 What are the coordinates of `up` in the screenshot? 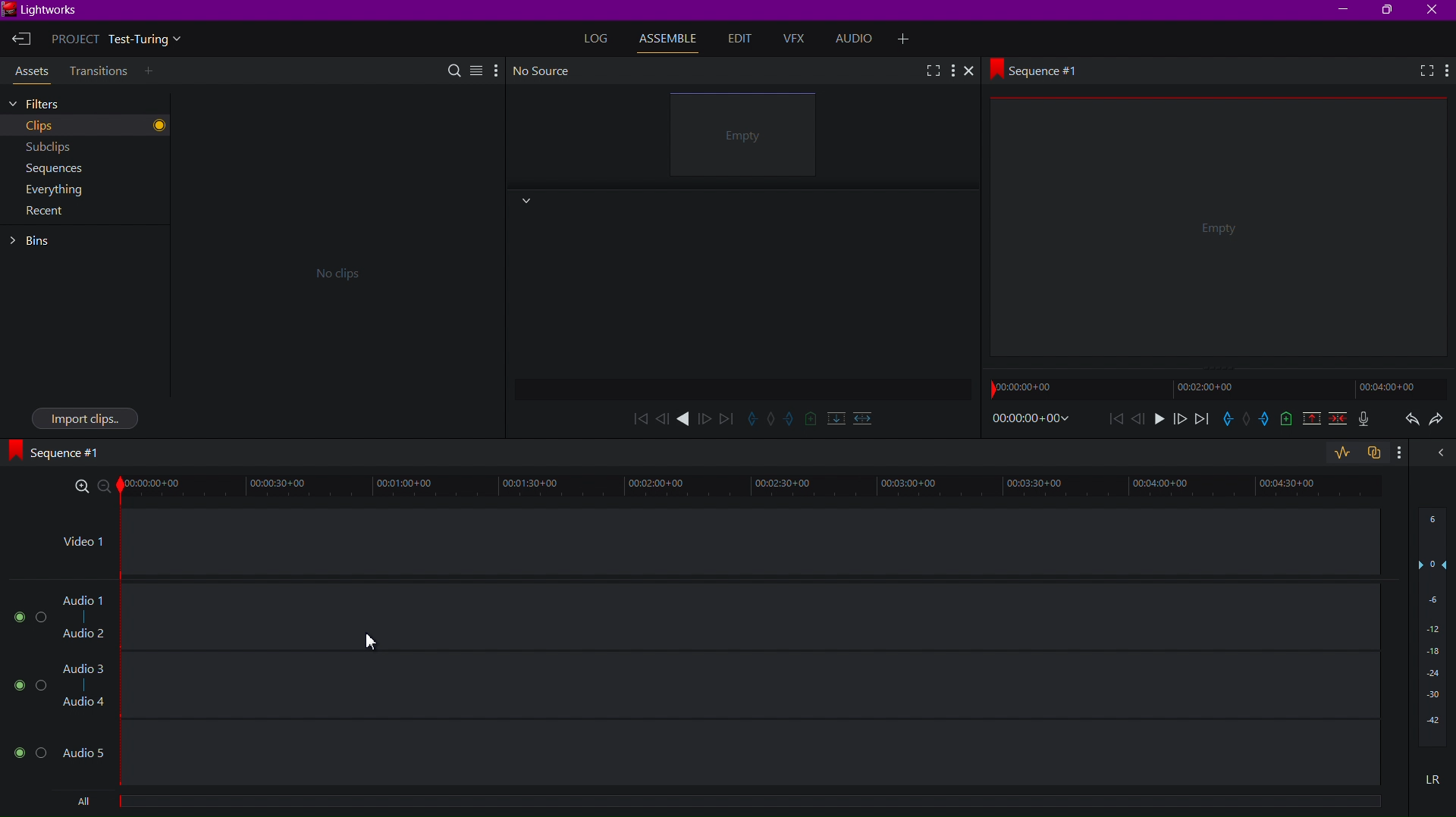 It's located at (1309, 421).